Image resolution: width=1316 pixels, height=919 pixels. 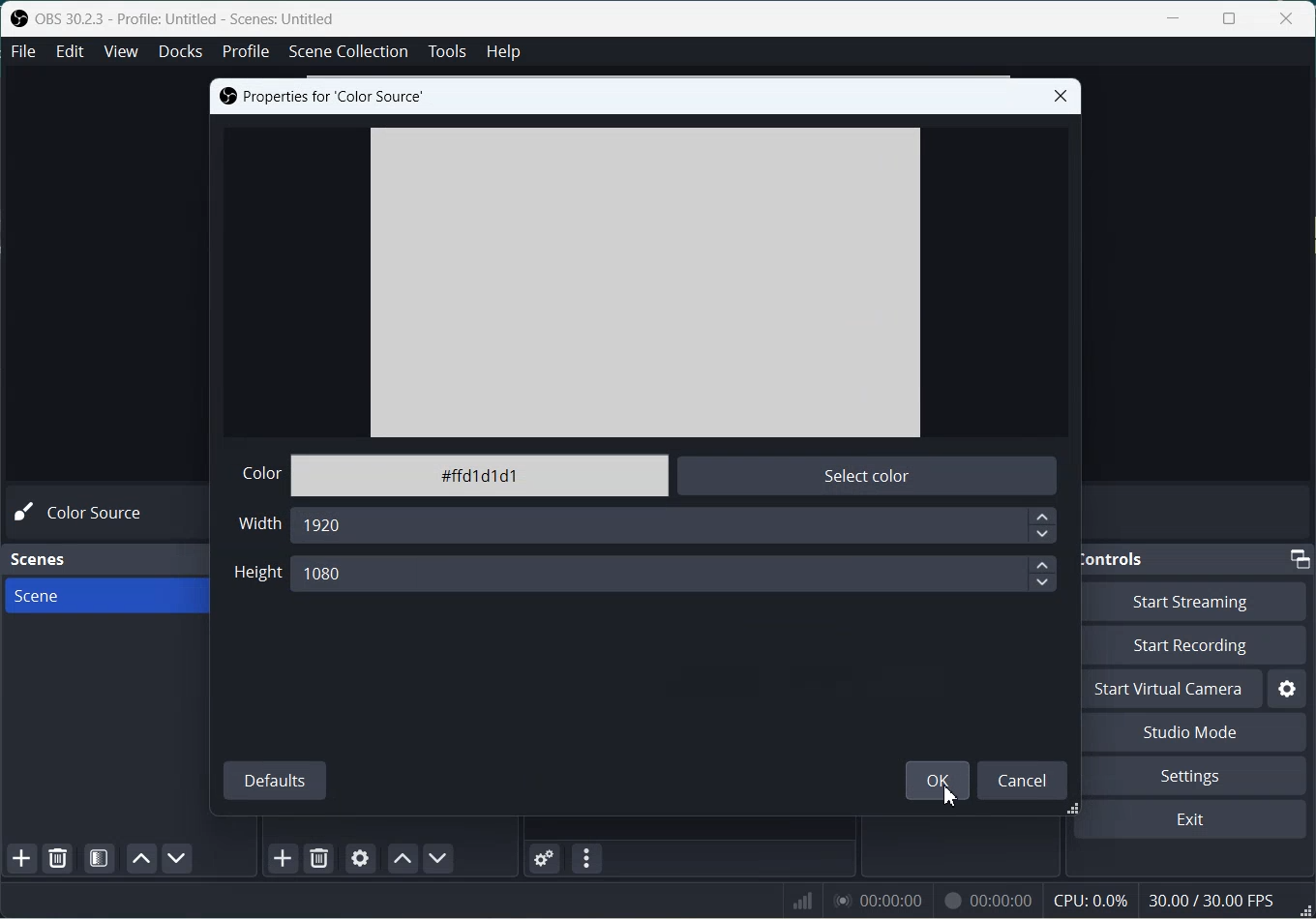 I want to click on Width, so click(x=259, y=525).